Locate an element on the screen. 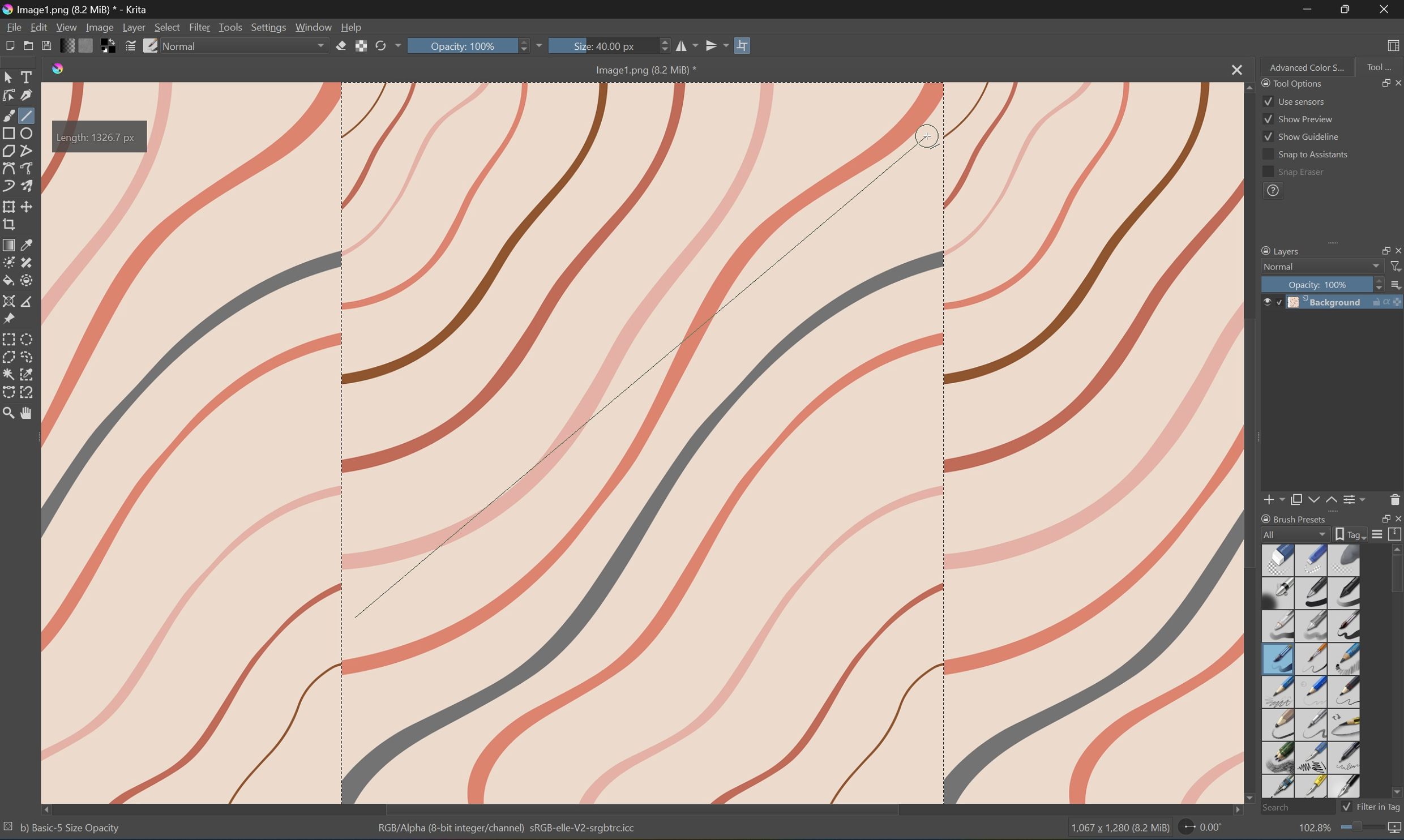 The image size is (1404, 840). Drop Down is located at coordinates (1375, 267).